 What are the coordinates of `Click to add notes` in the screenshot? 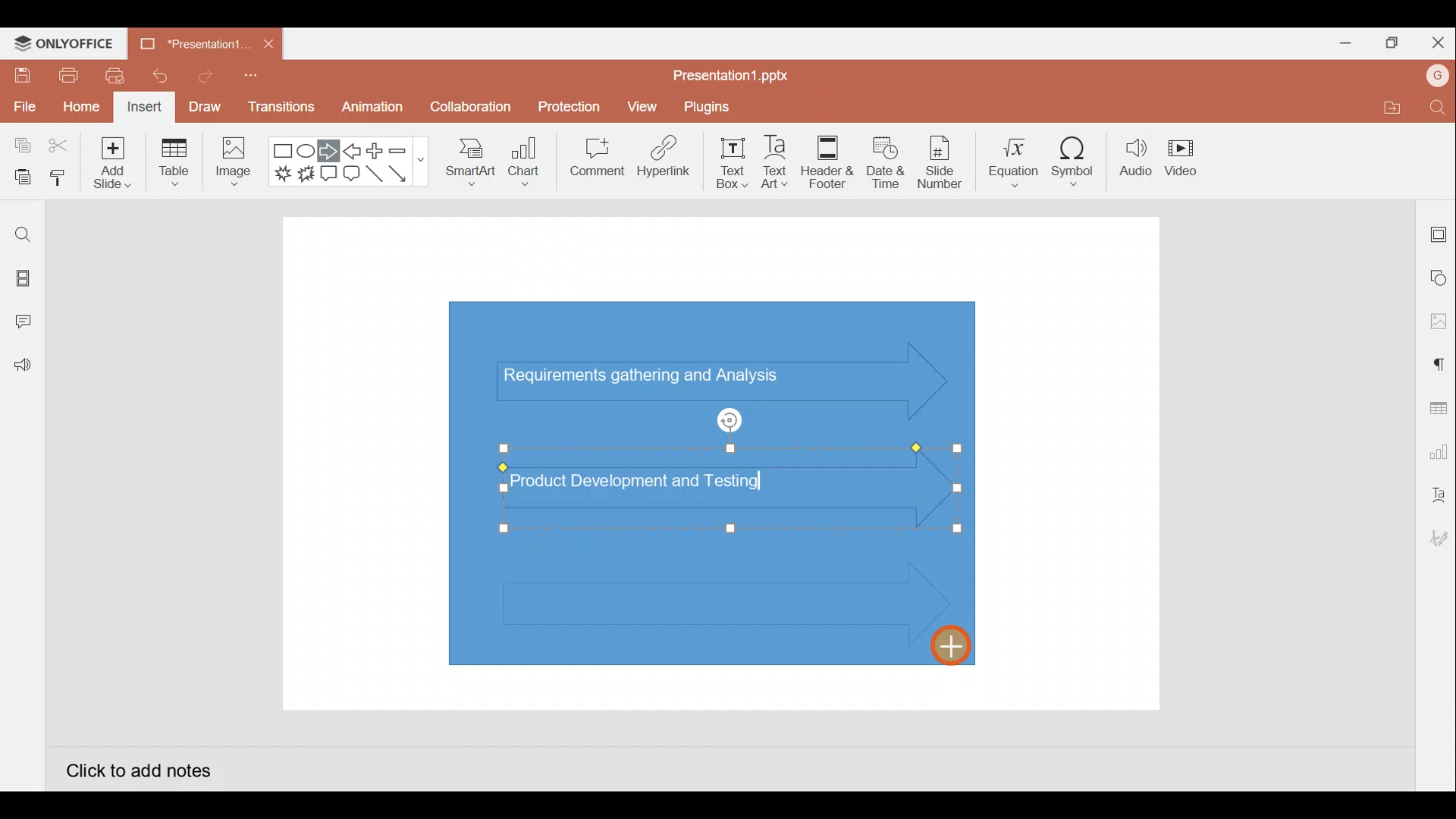 It's located at (138, 769).